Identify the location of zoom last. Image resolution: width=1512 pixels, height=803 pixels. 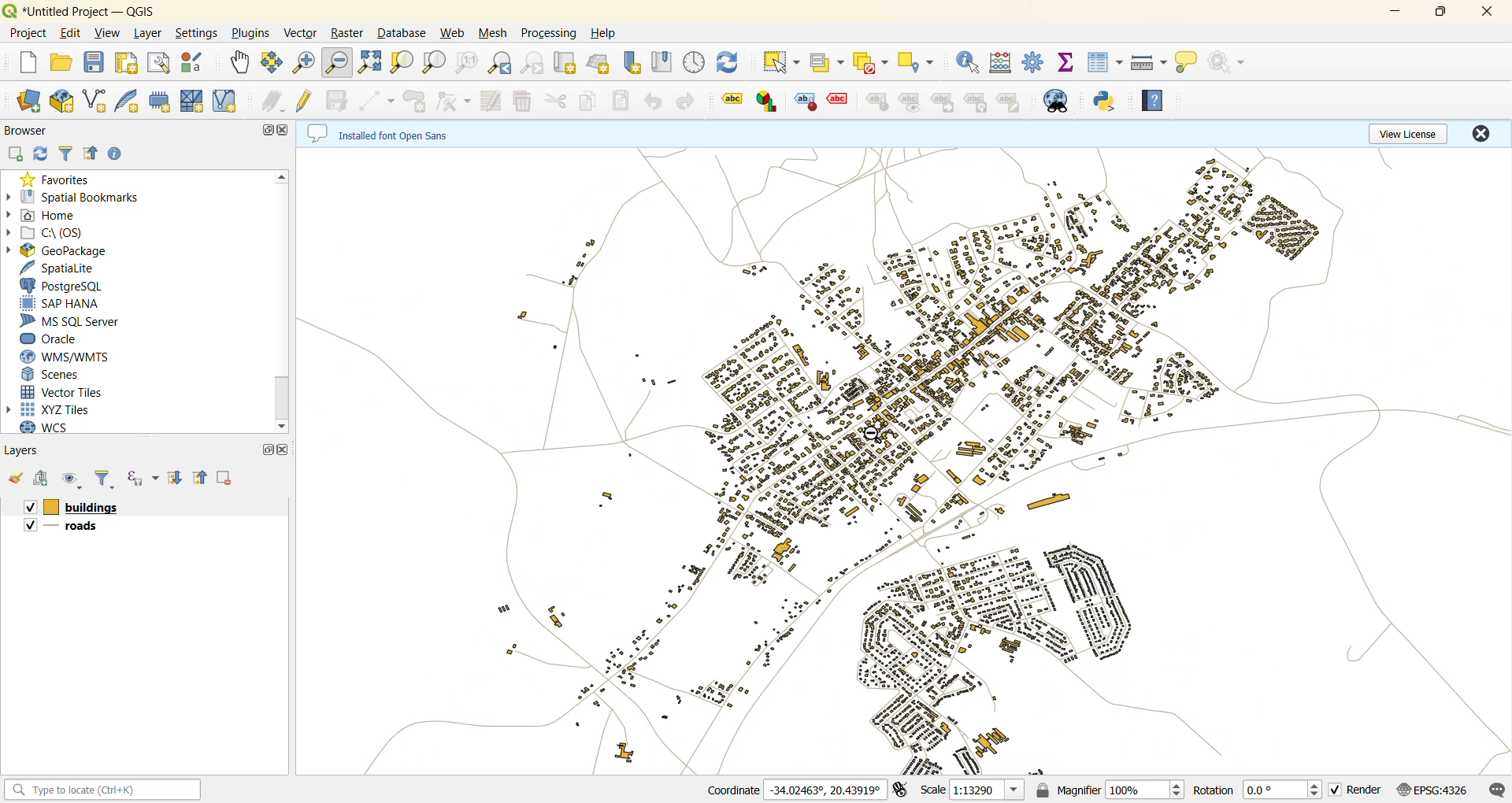
(505, 63).